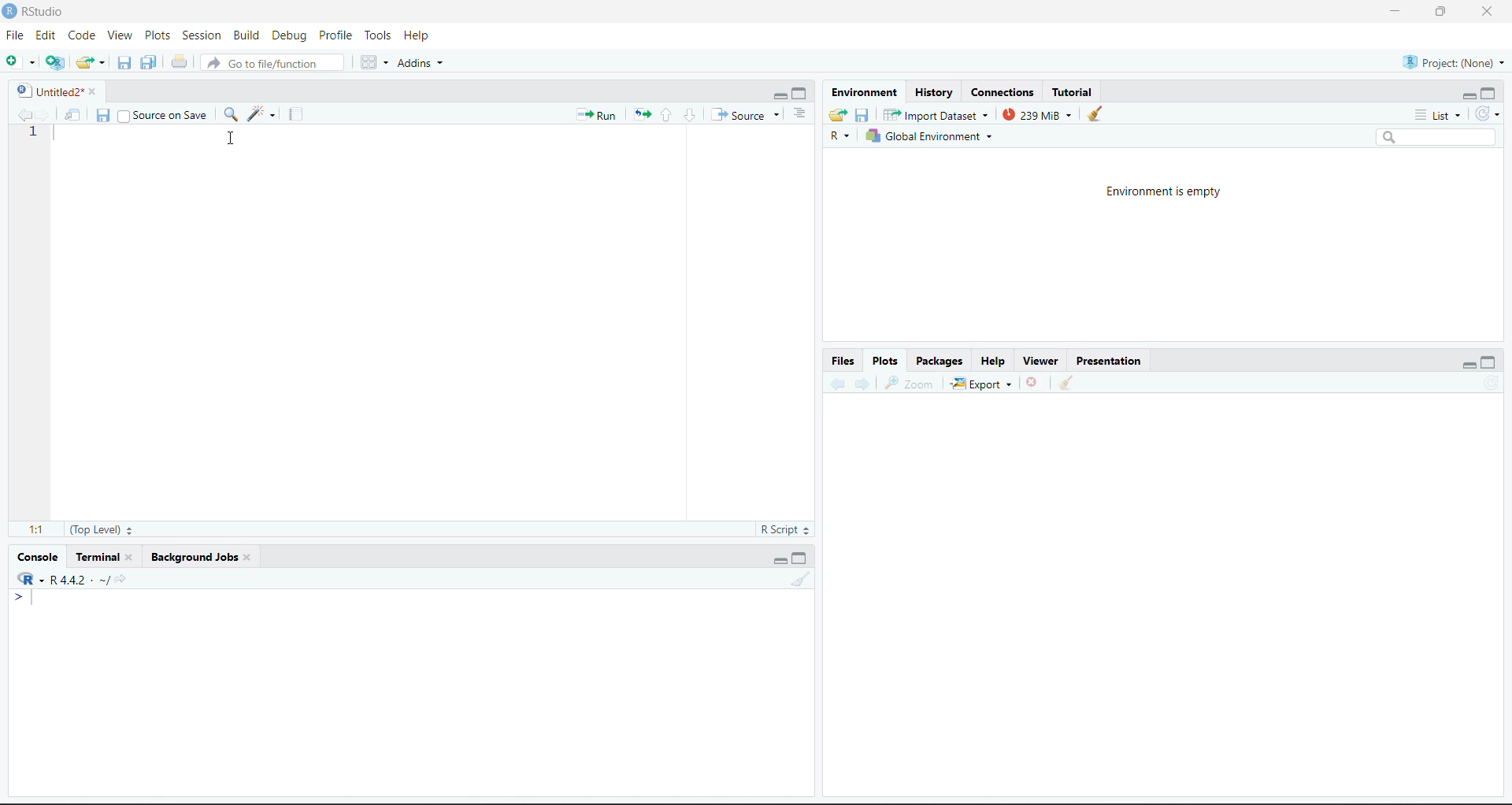 This screenshot has height=805, width=1512. Describe the element at coordinates (29, 579) in the screenshot. I see `R` at that location.